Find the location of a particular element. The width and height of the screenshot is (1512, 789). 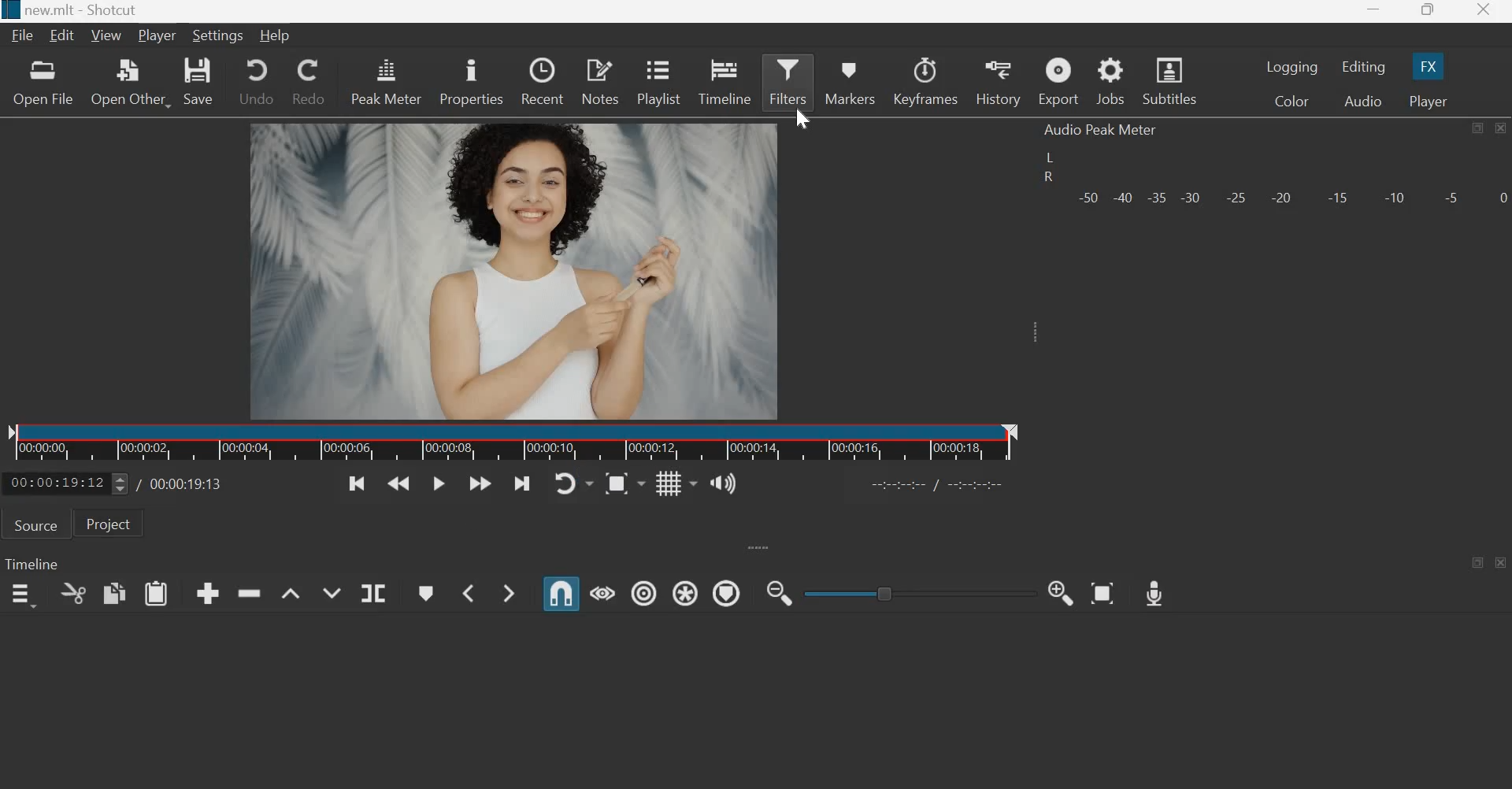

Skip to the next point is located at coordinates (524, 482).